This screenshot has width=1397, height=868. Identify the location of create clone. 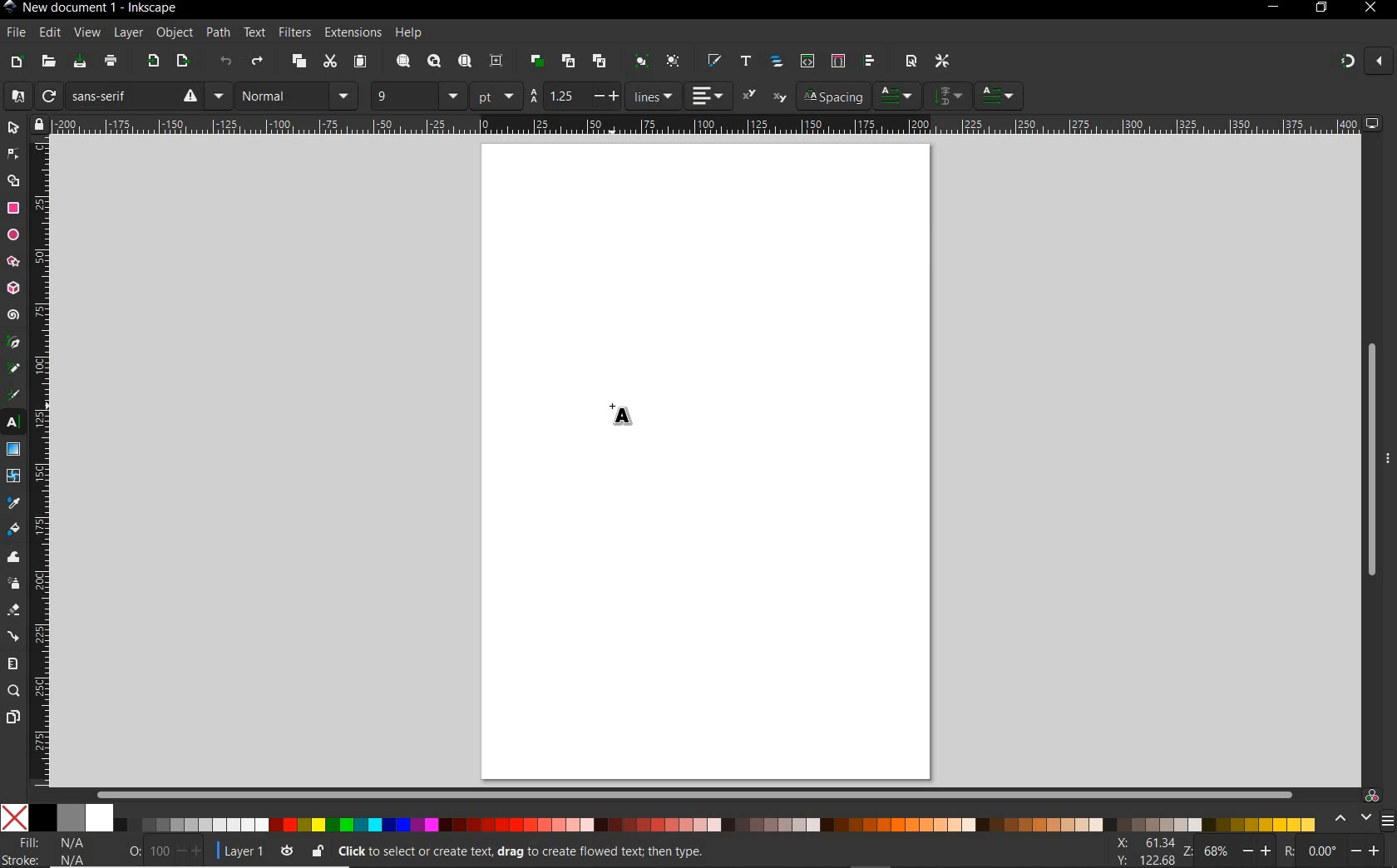
(566, 62).